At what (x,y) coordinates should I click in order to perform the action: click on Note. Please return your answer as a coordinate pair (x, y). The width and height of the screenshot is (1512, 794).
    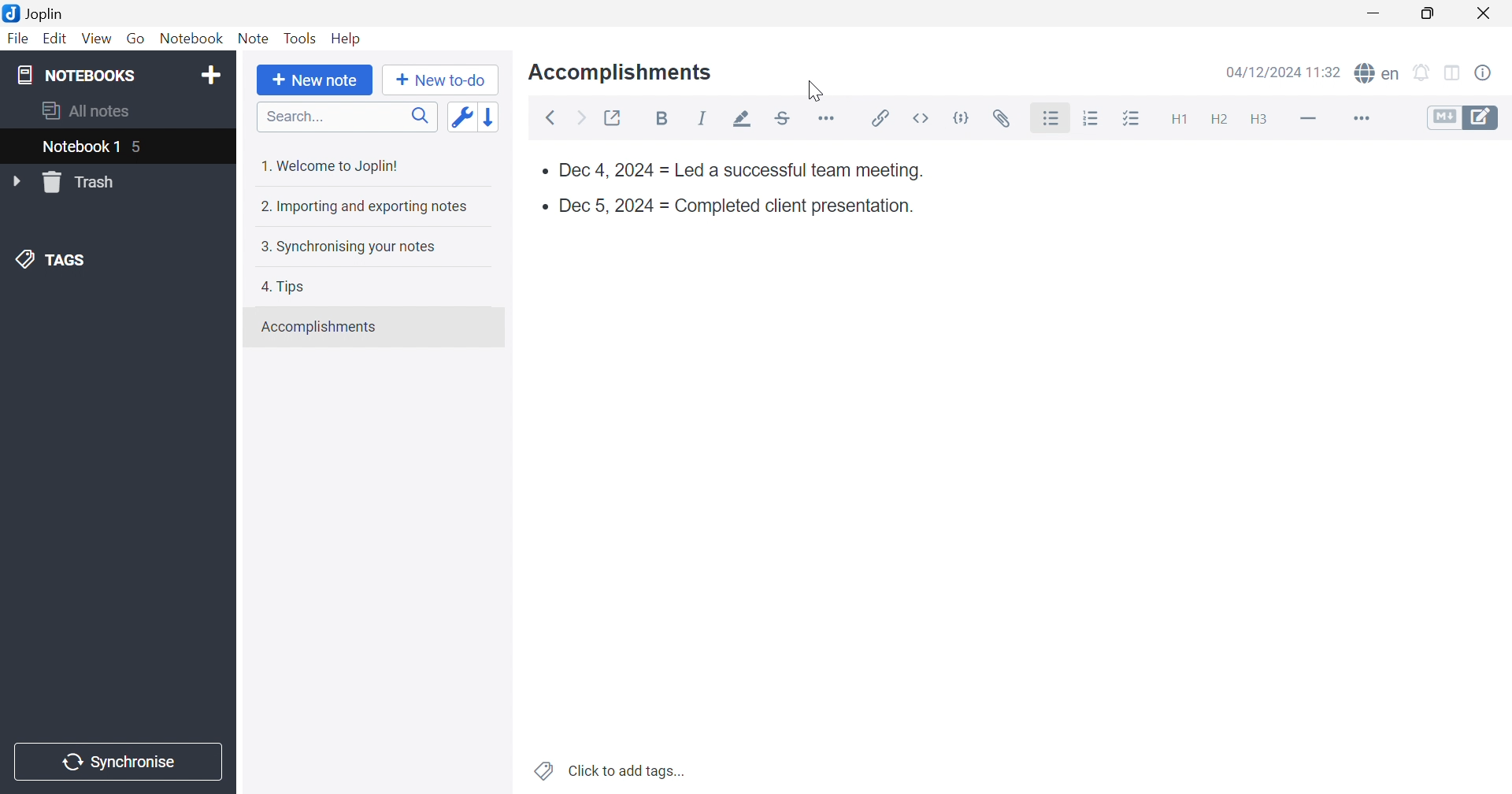
    Looking at the image, I should click on (253, 40).